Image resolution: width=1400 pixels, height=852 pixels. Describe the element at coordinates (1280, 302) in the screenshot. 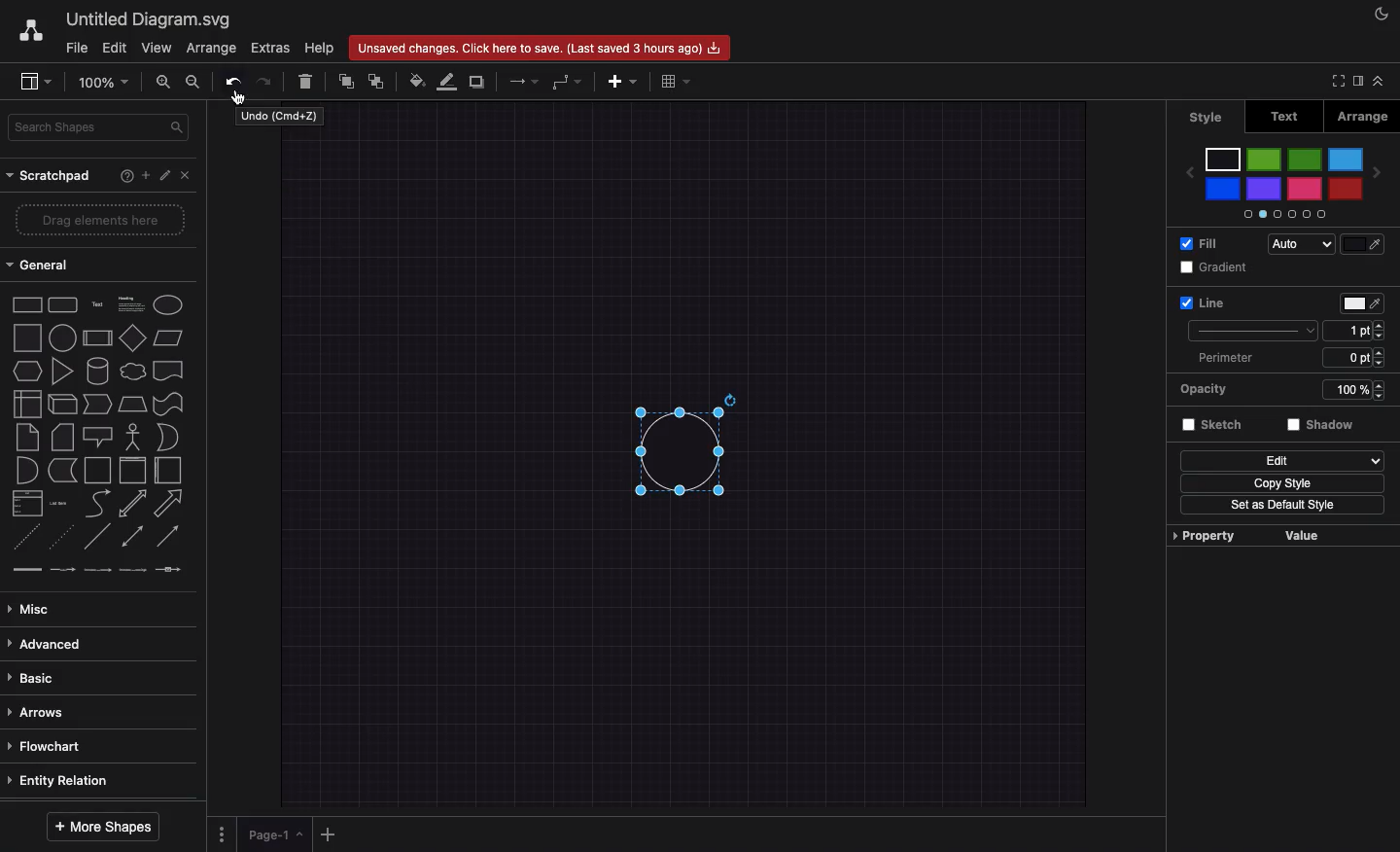

I see `Line` at that location.